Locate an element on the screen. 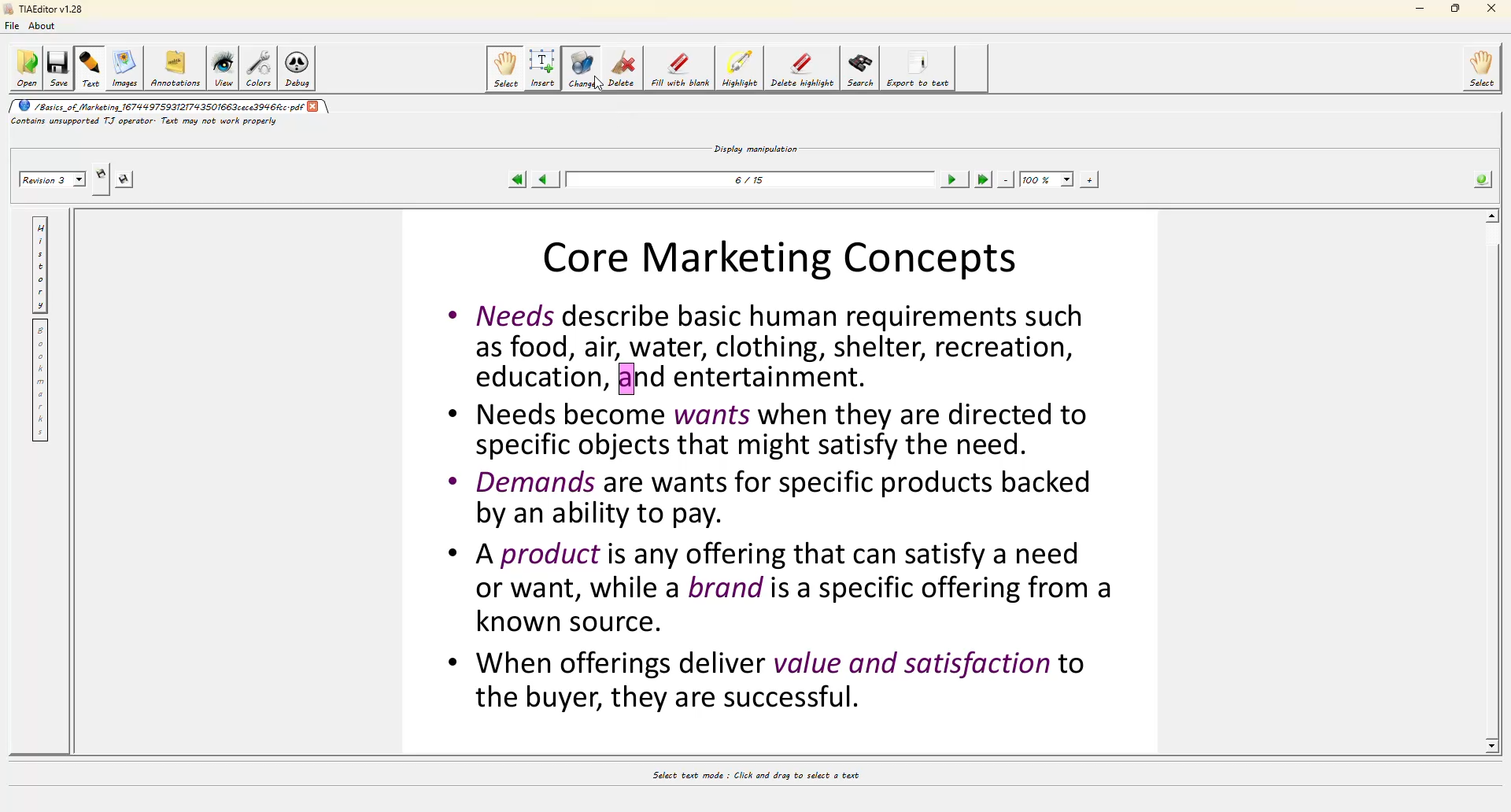 The width and height of the screenshot is (1511, 812). previous page is located at coordinates (541, 179).